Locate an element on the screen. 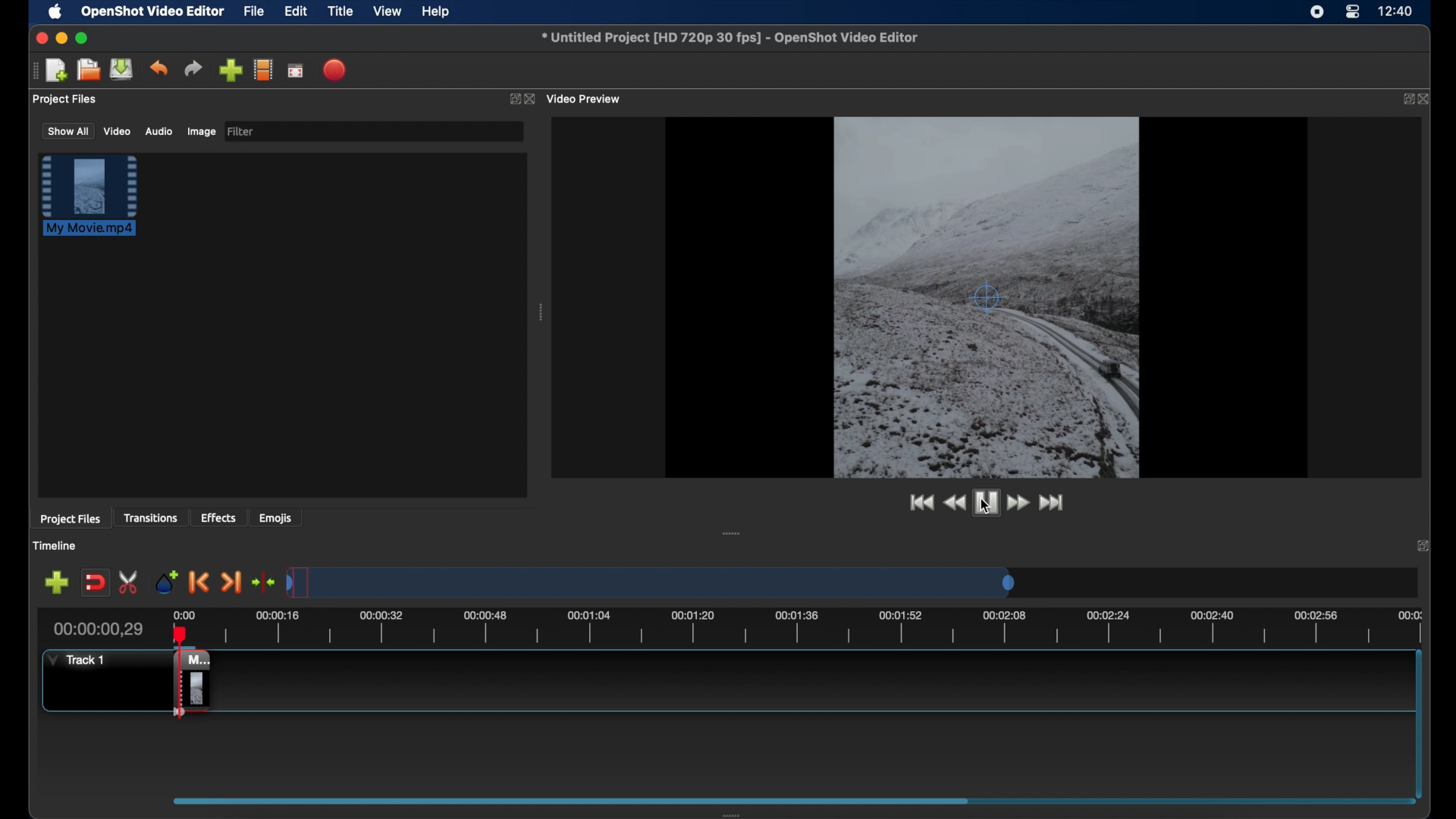 Image resolution: width=1456 pixels, height=819 pixels. maximize is located at coordinates (83, 38).